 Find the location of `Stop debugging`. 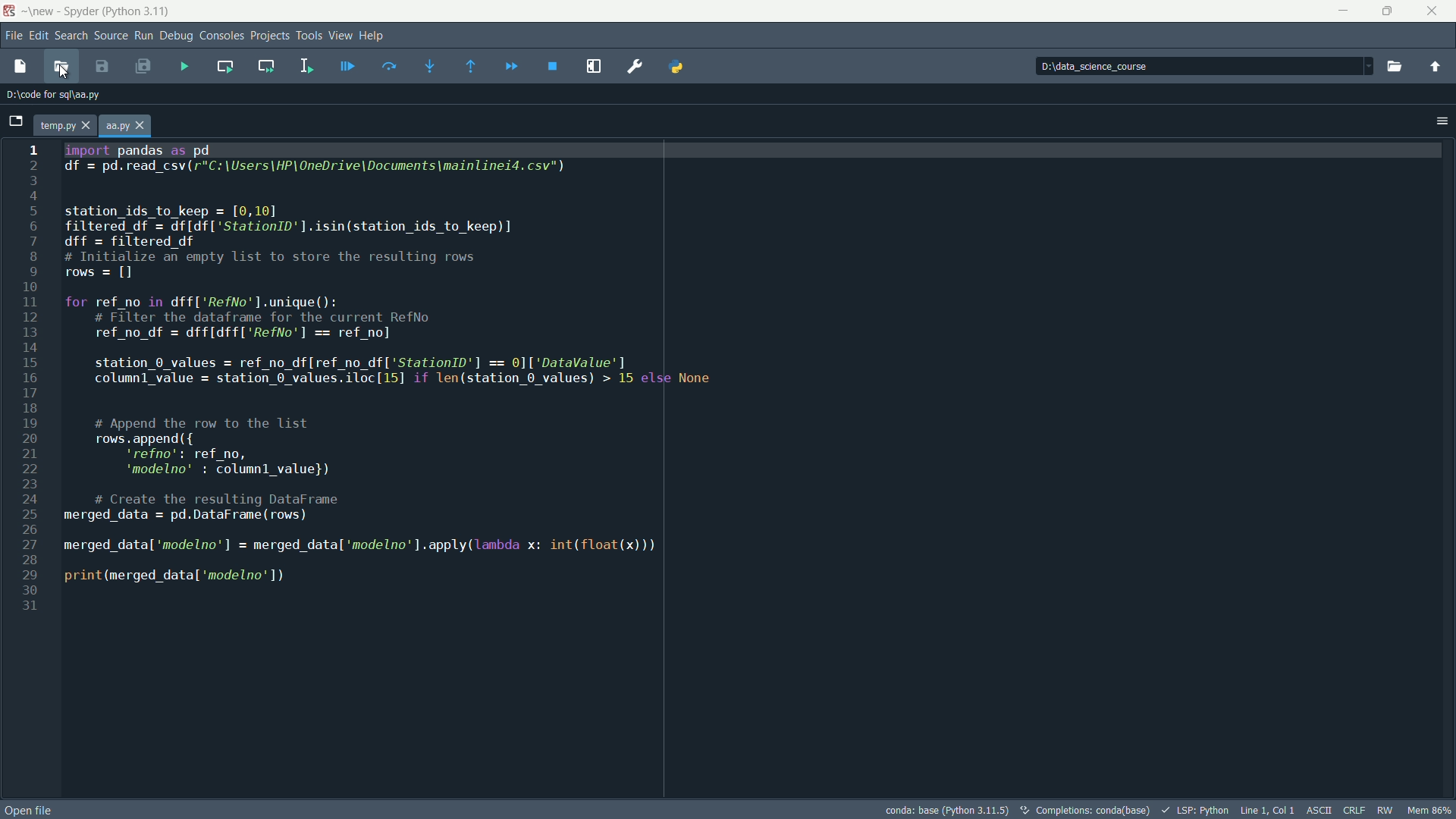

Stop debugging is located at coordinates (552, 67).